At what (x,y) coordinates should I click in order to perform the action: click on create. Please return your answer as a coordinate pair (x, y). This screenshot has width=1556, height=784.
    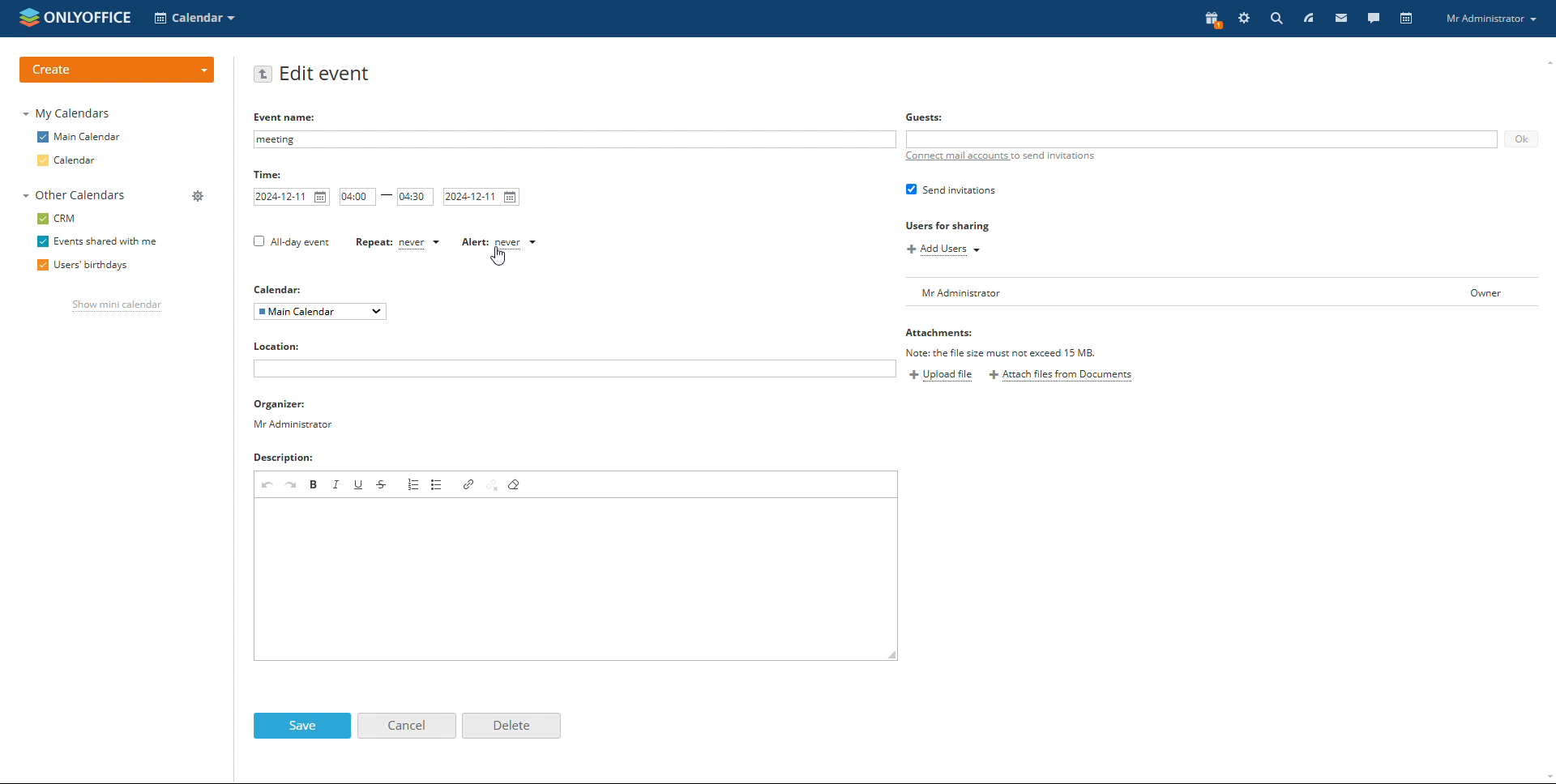
    Looking at the image, I should click on (116, 70).